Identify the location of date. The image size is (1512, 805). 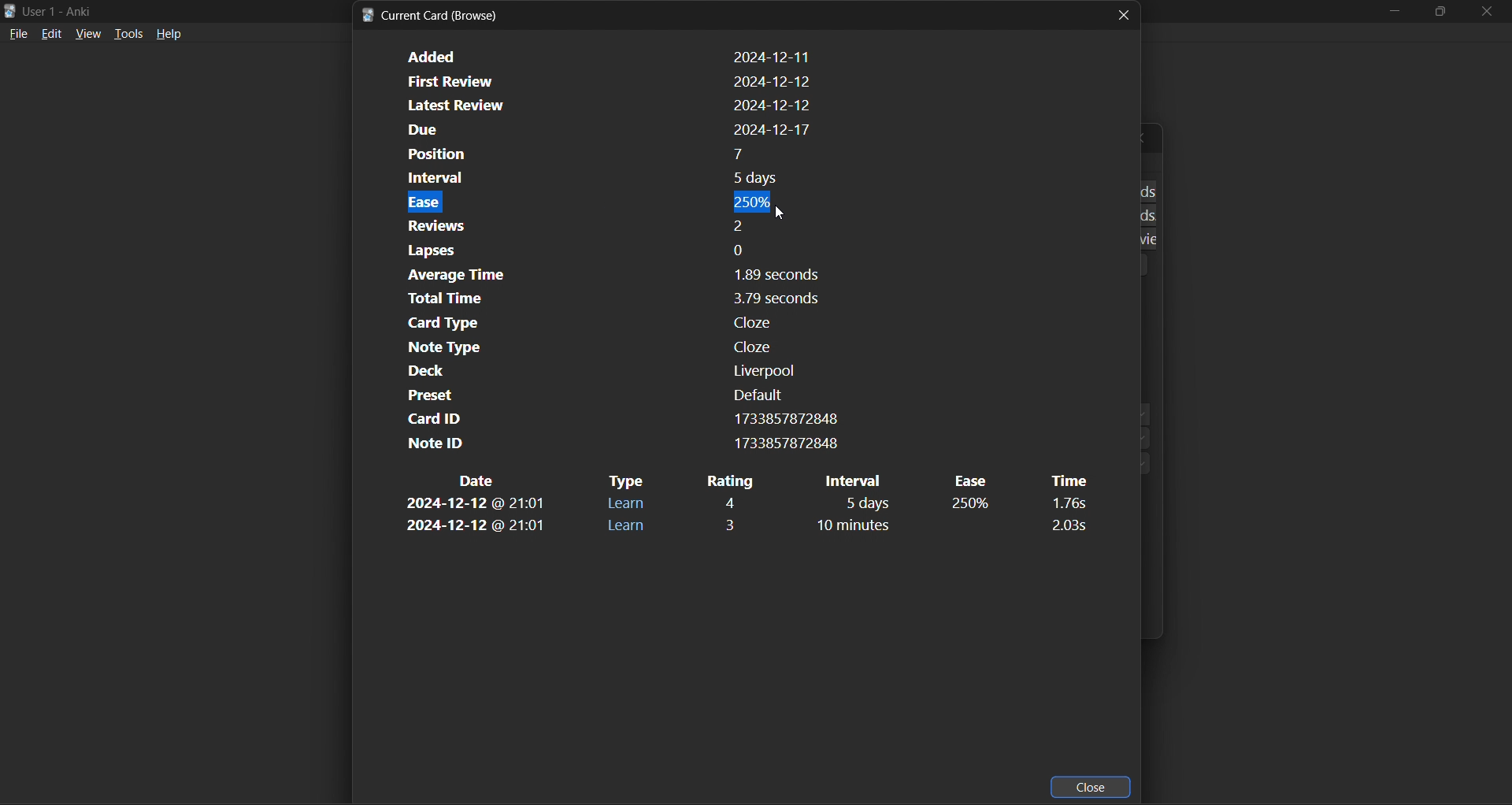
(479, 480).